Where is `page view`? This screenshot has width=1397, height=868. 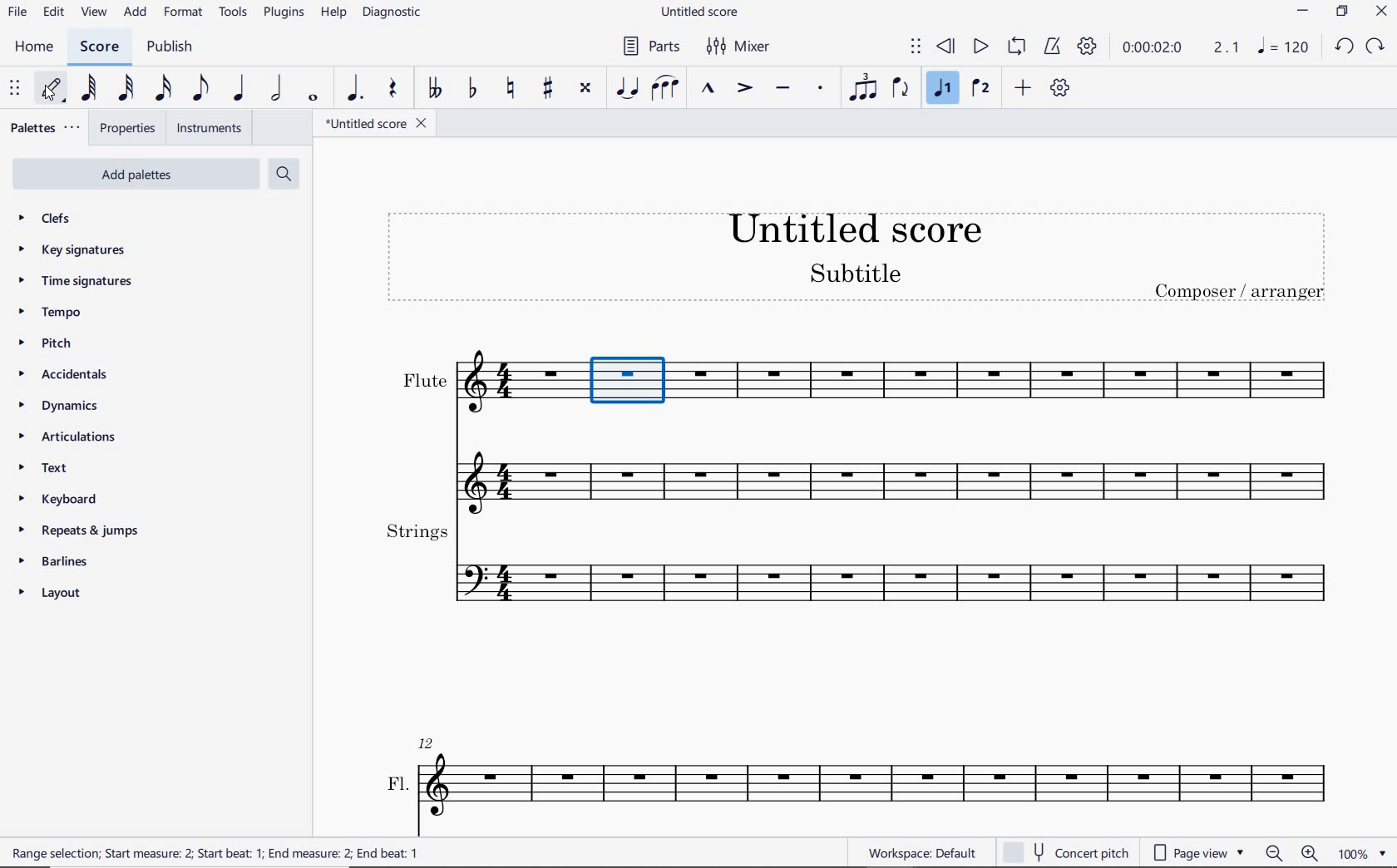
page view is located at coordinates (1197, 851).